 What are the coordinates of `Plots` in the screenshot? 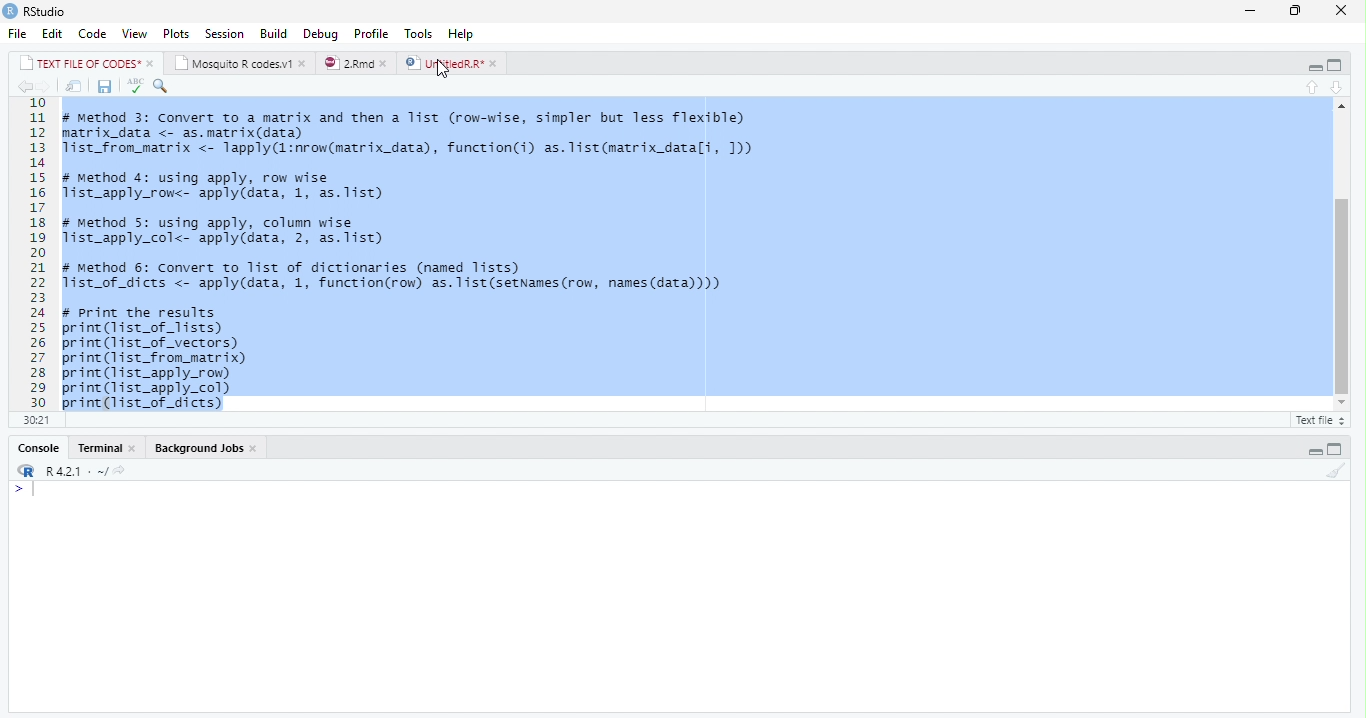 It's located at (176, 32).